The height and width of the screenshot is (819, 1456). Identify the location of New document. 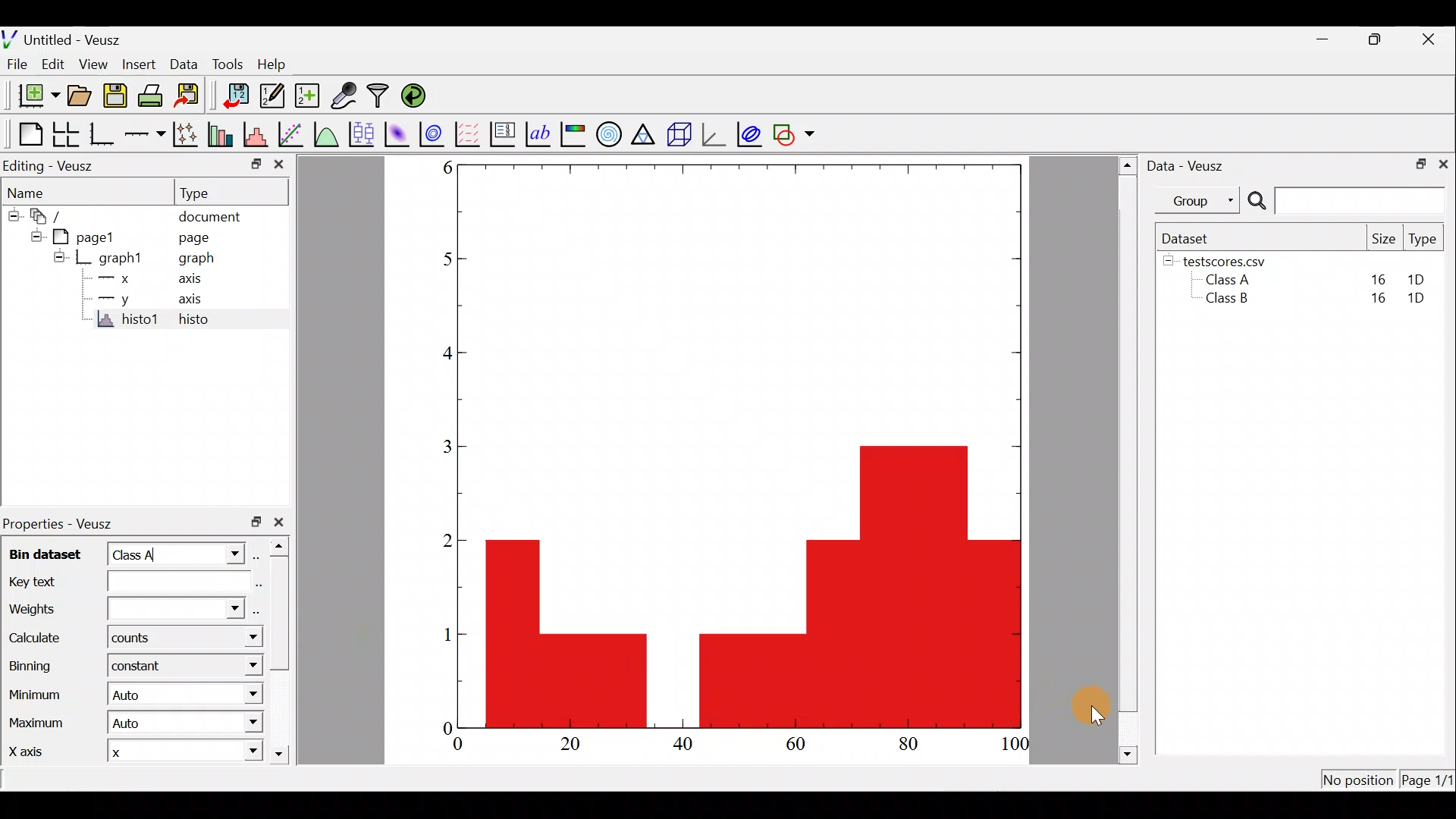
(32, 95).